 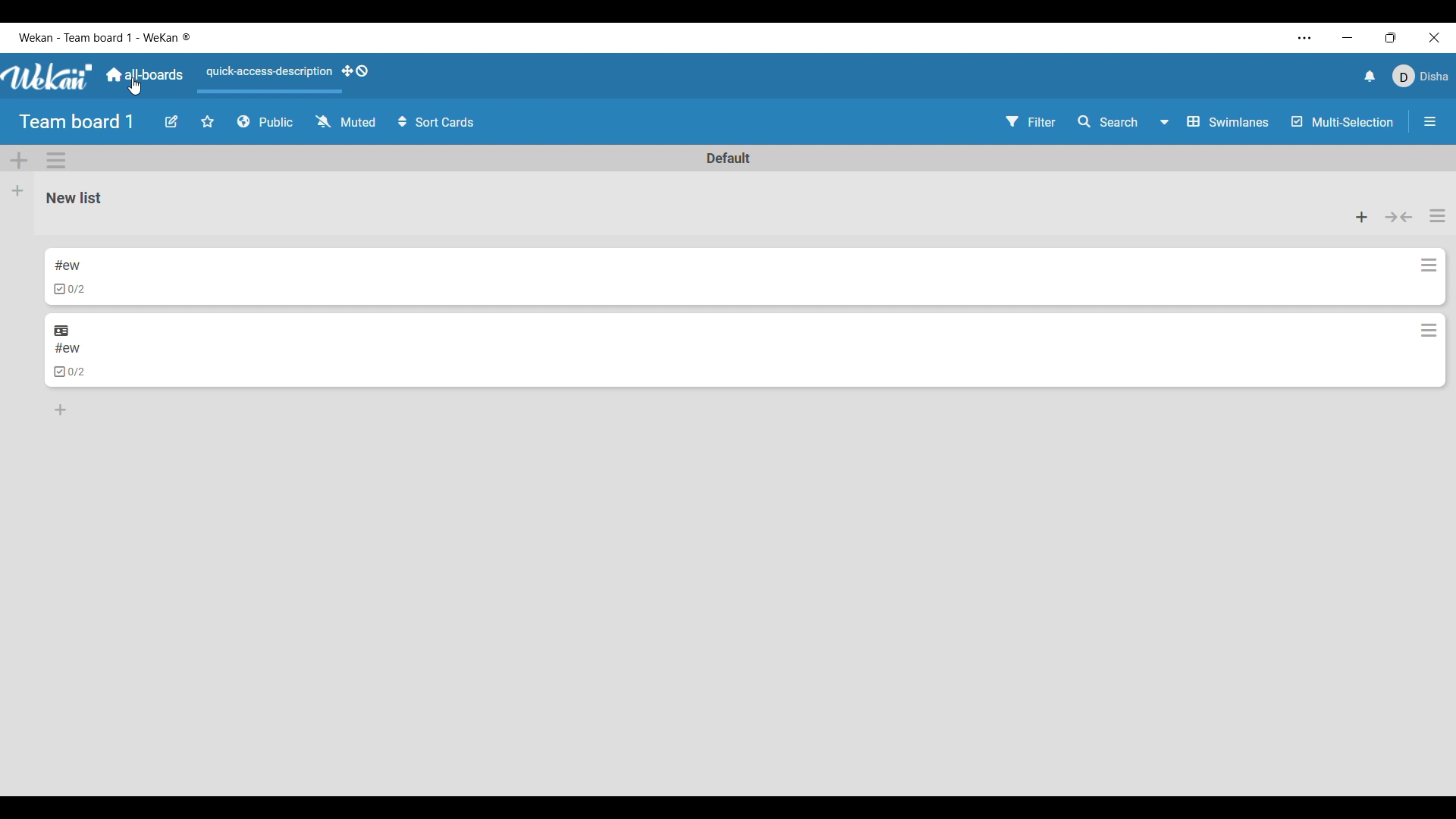 What do you see at coordinates (17, 190) in the screenshot?
I see `Add list` at bounding box center [17, 190].